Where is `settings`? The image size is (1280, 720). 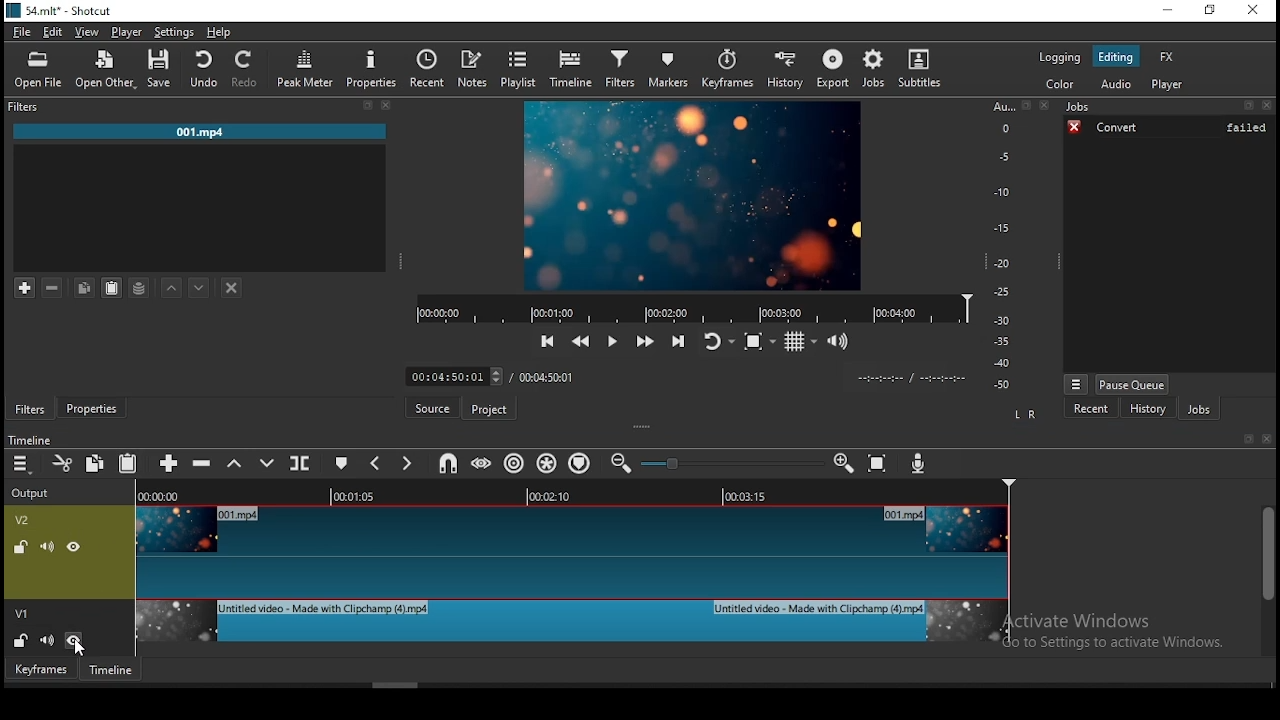
settings is located at coordinates (175, 32).